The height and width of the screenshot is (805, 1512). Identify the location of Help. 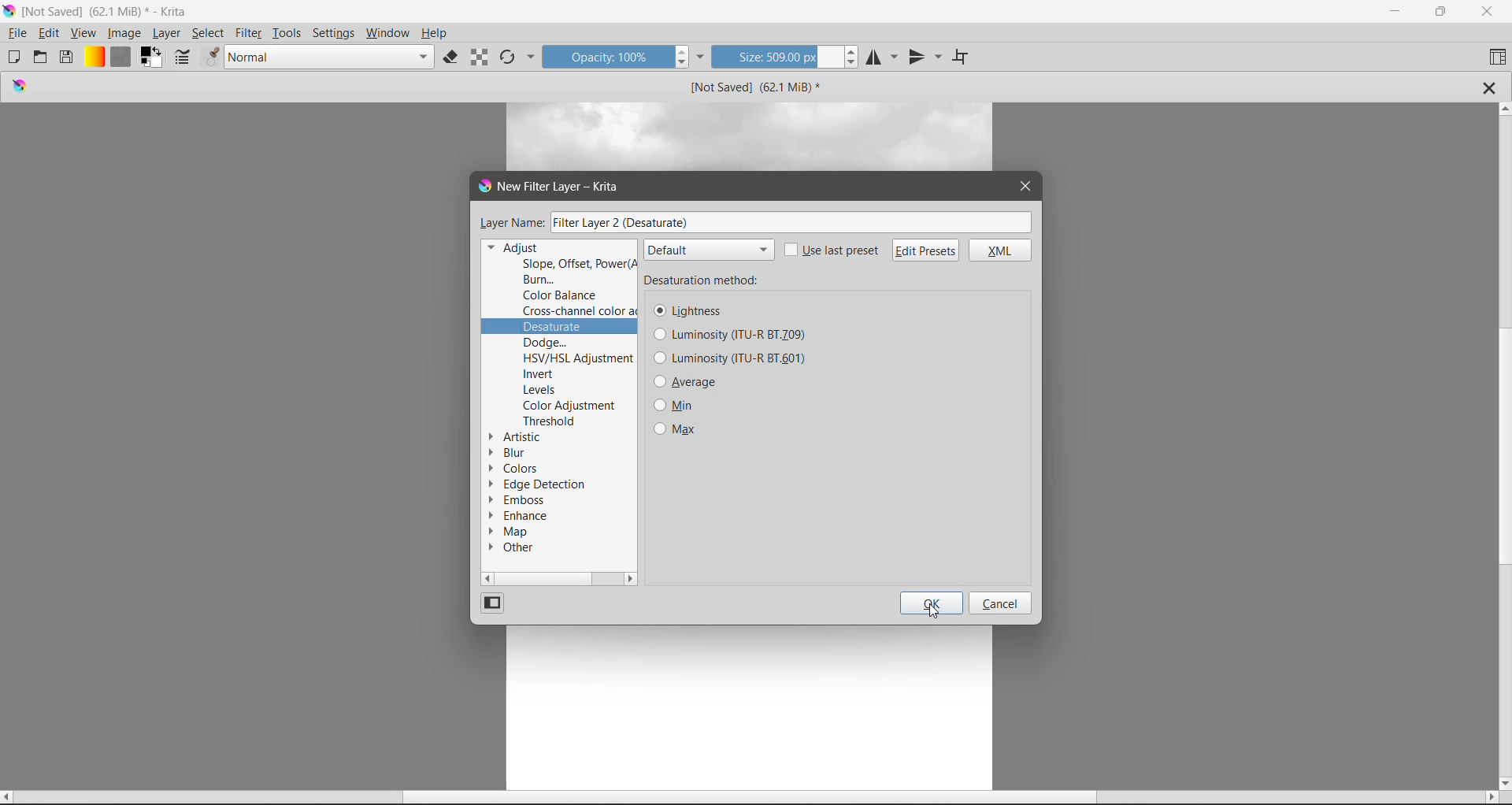
(434, 33).